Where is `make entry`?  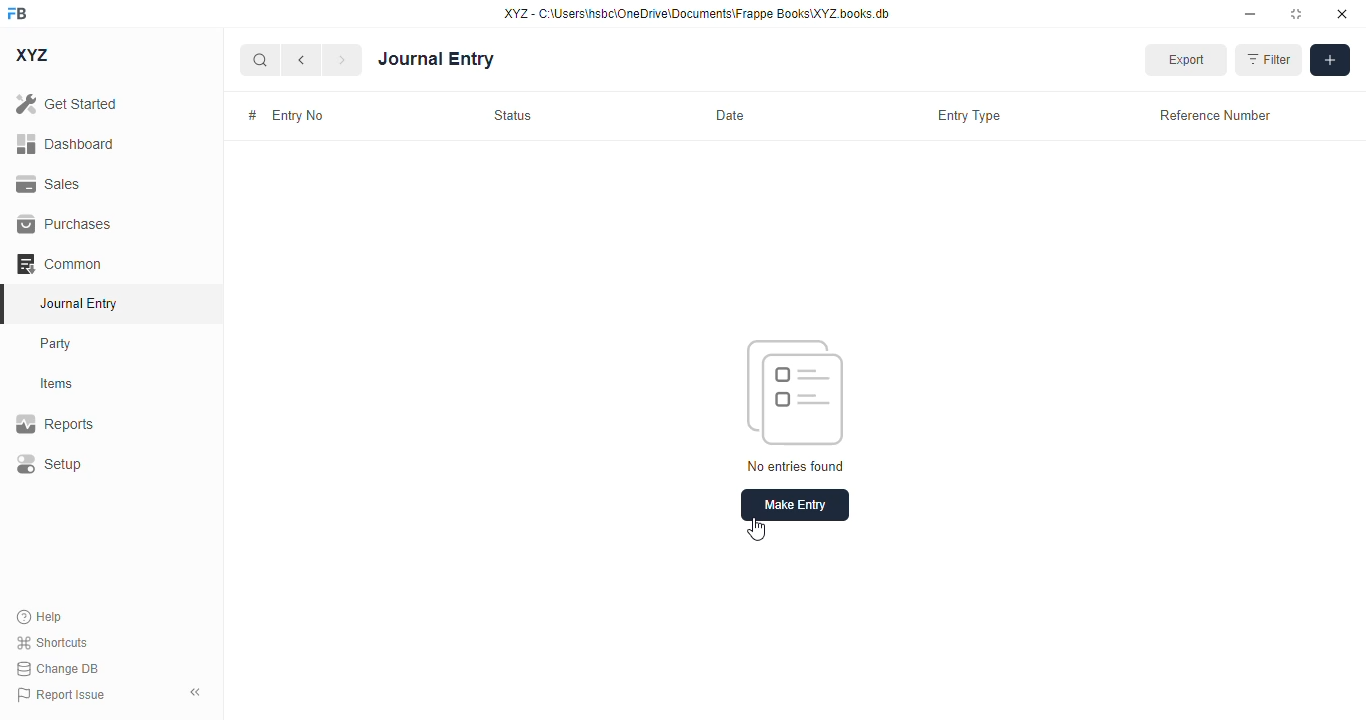
make entry is located at coordinates (795, 505).